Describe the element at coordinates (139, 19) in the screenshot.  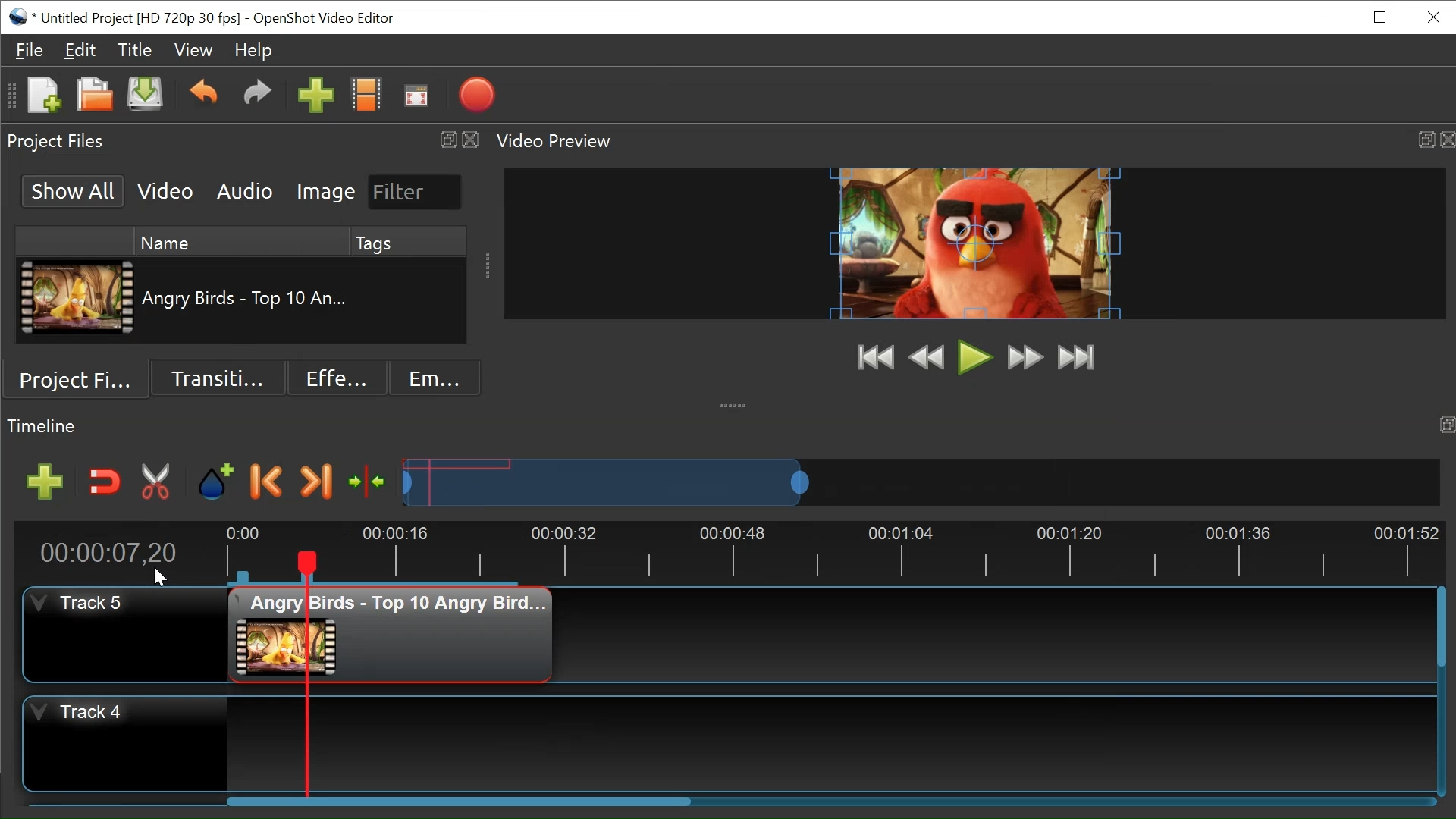
I see `Project Name` at that location.